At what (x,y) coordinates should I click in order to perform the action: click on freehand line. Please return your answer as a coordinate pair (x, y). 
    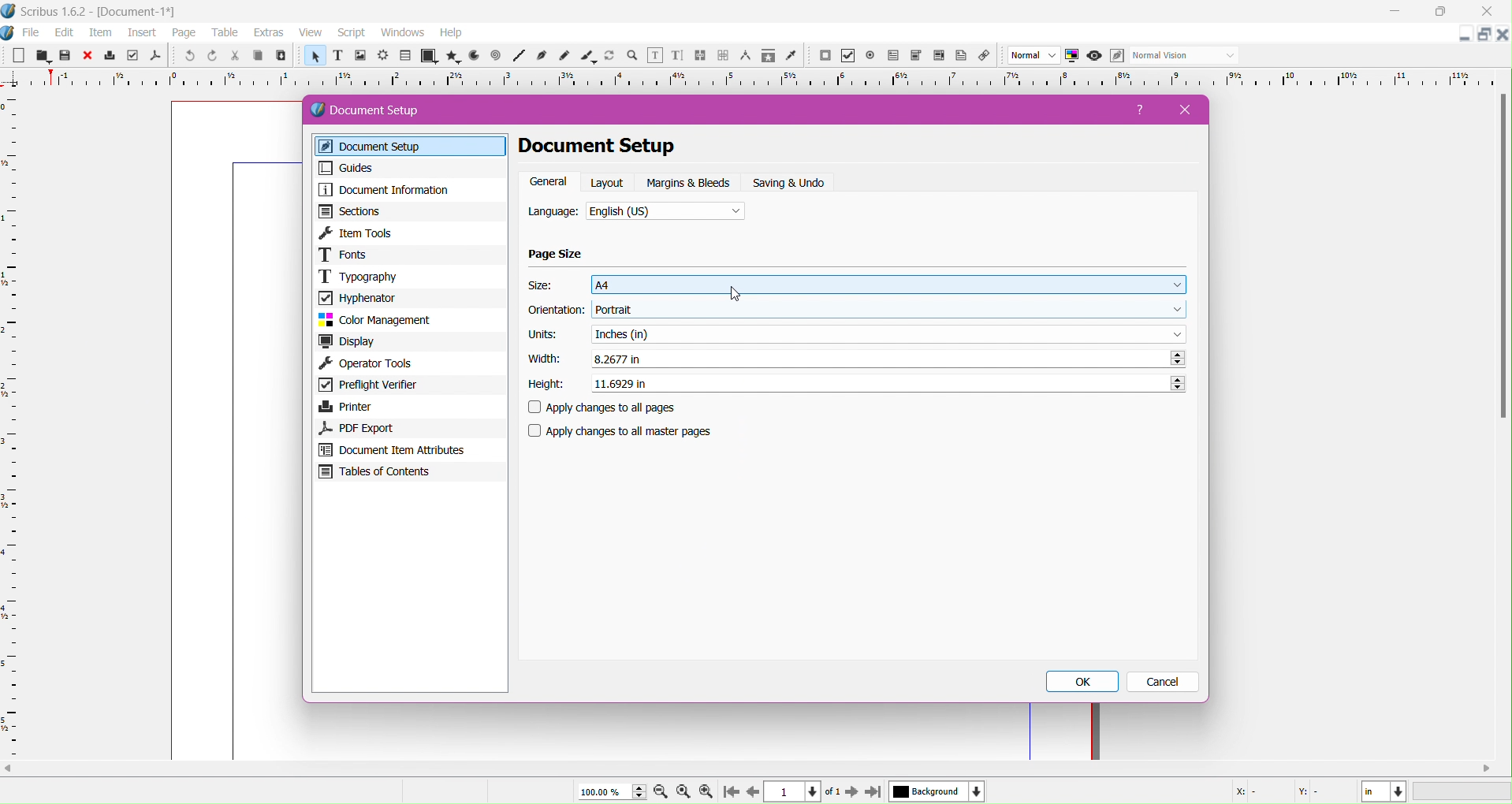
    Looking at the image, I should click on (566, 57).